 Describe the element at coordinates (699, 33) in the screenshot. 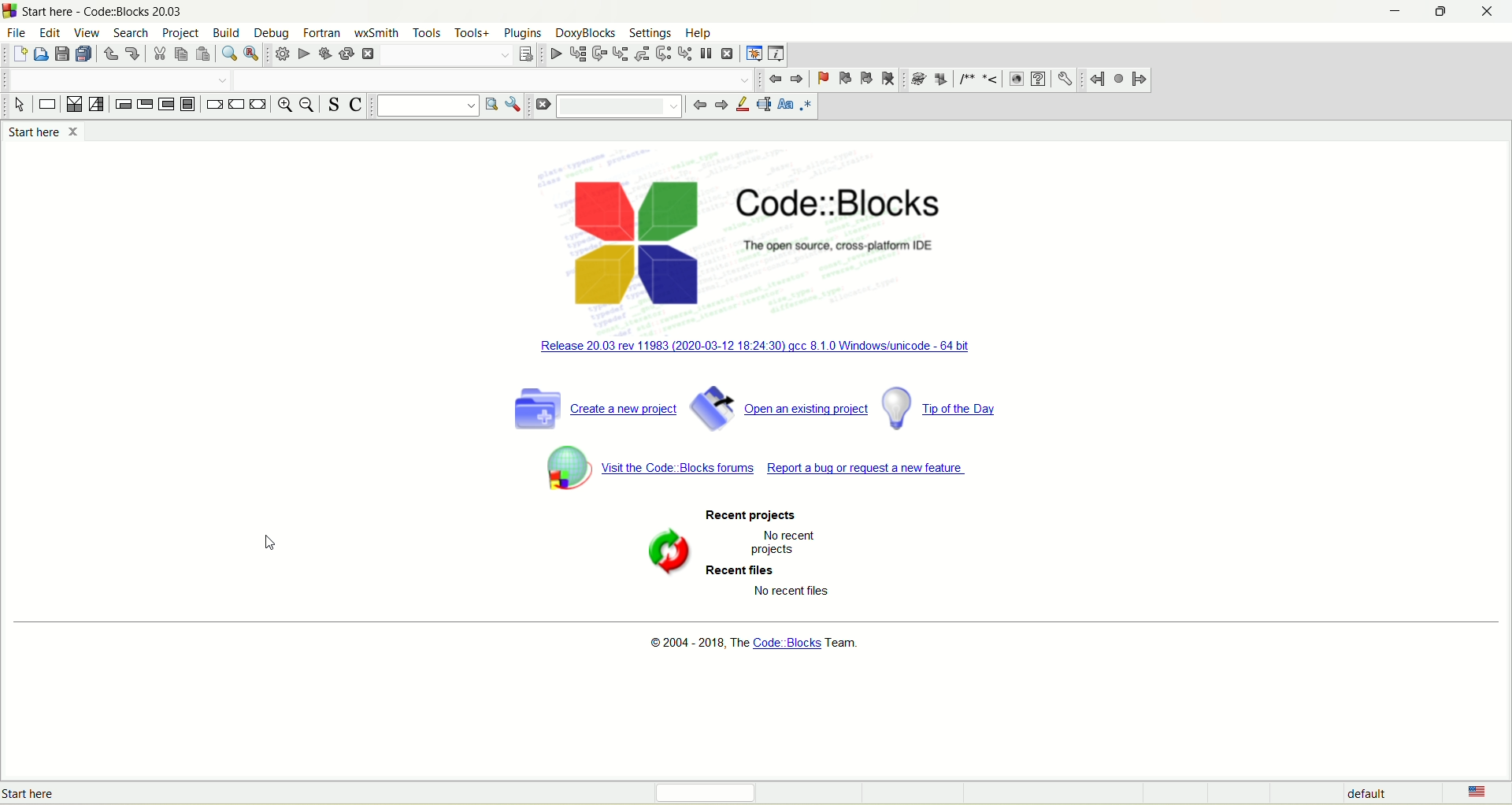

I see `help` at that location.